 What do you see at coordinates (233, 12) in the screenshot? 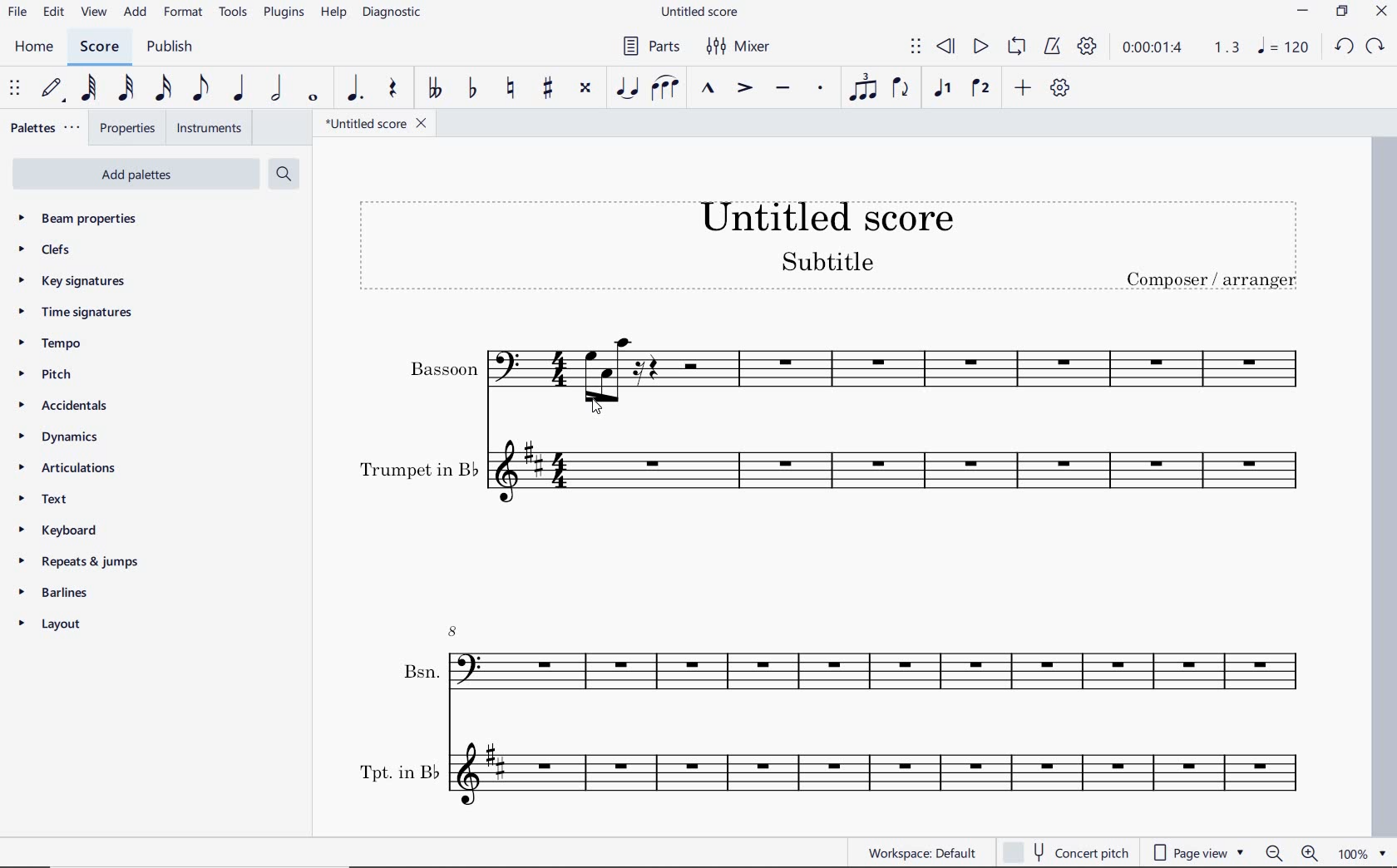
I see `tools` at bounding box center [233, 12].